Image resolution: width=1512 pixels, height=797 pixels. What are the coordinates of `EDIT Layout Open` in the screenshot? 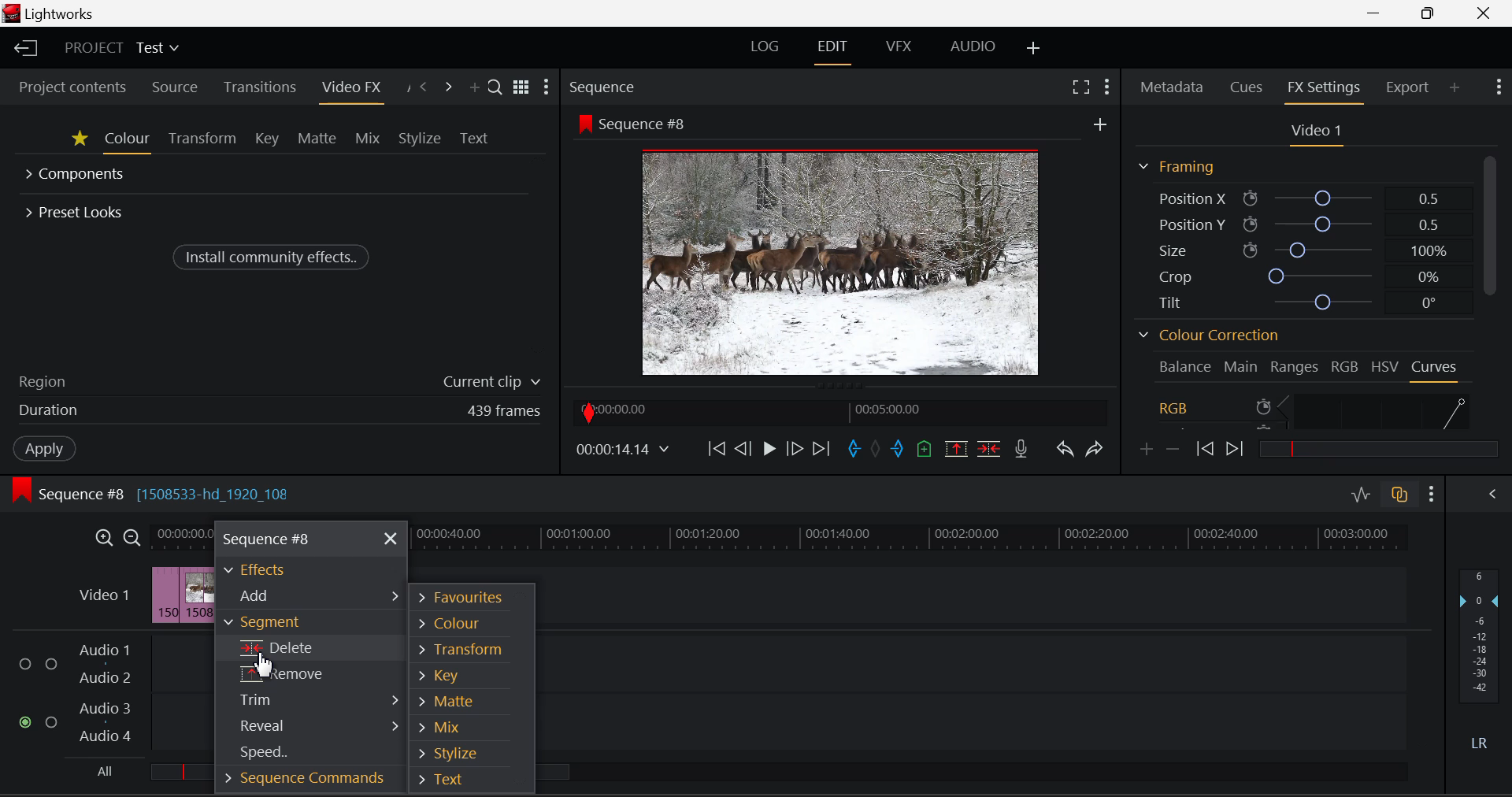 It's located at (835, 48).